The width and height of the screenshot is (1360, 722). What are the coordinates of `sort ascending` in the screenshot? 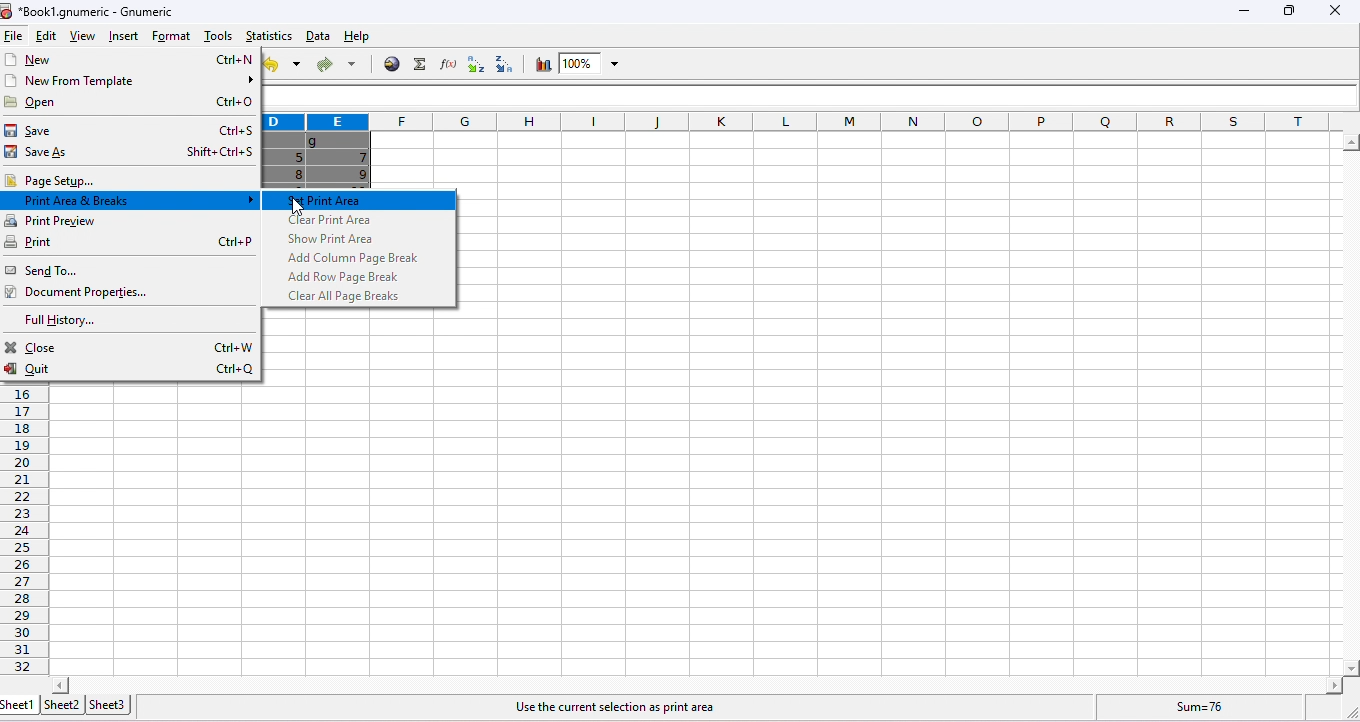 It's located at (472, 65).